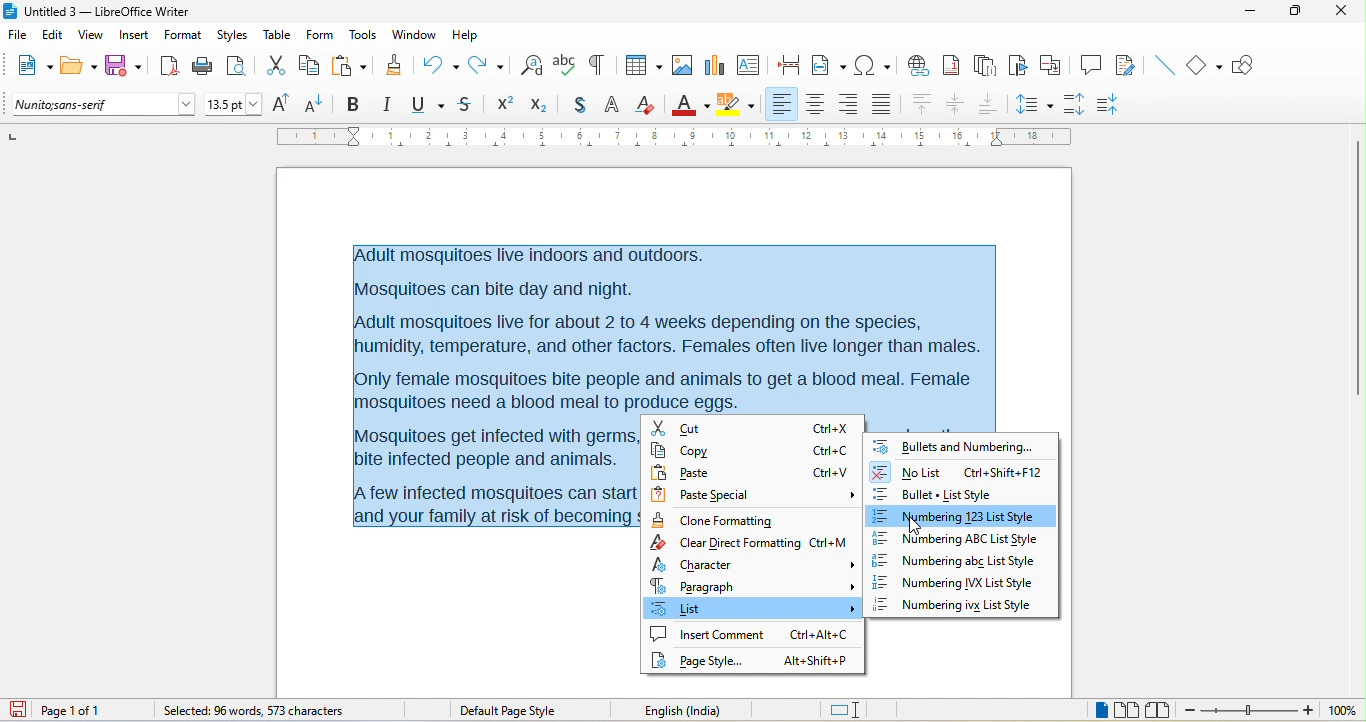 The width and height of the screenshot is (1366, 722). What do you see at coordinates (168, 66) in the screenshot?
I see `export directly as pdf` at bounding box center [168, 66].